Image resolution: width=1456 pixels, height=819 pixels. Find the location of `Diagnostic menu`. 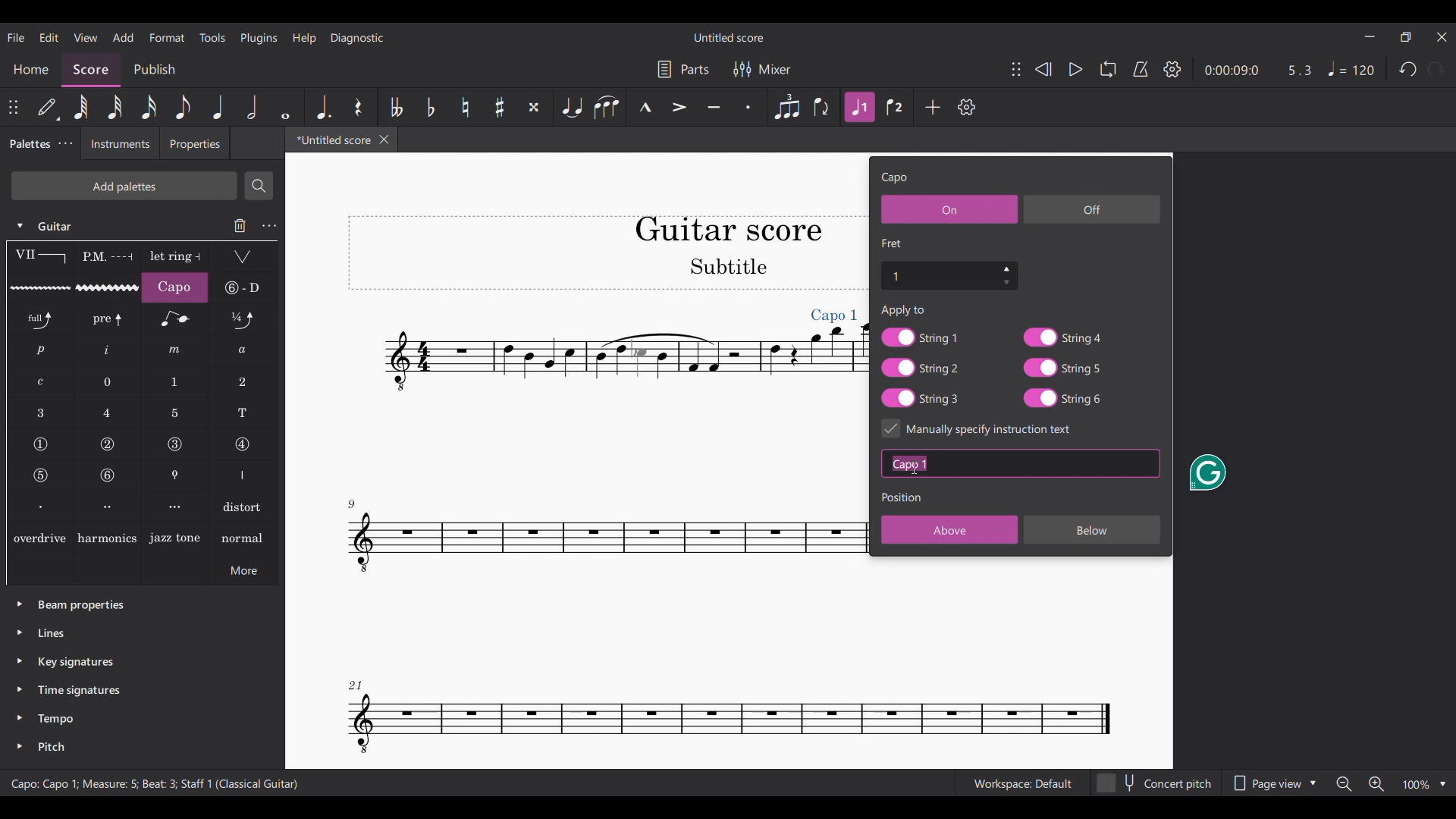

Diagnostic menu is located at coordinates (357, 39).